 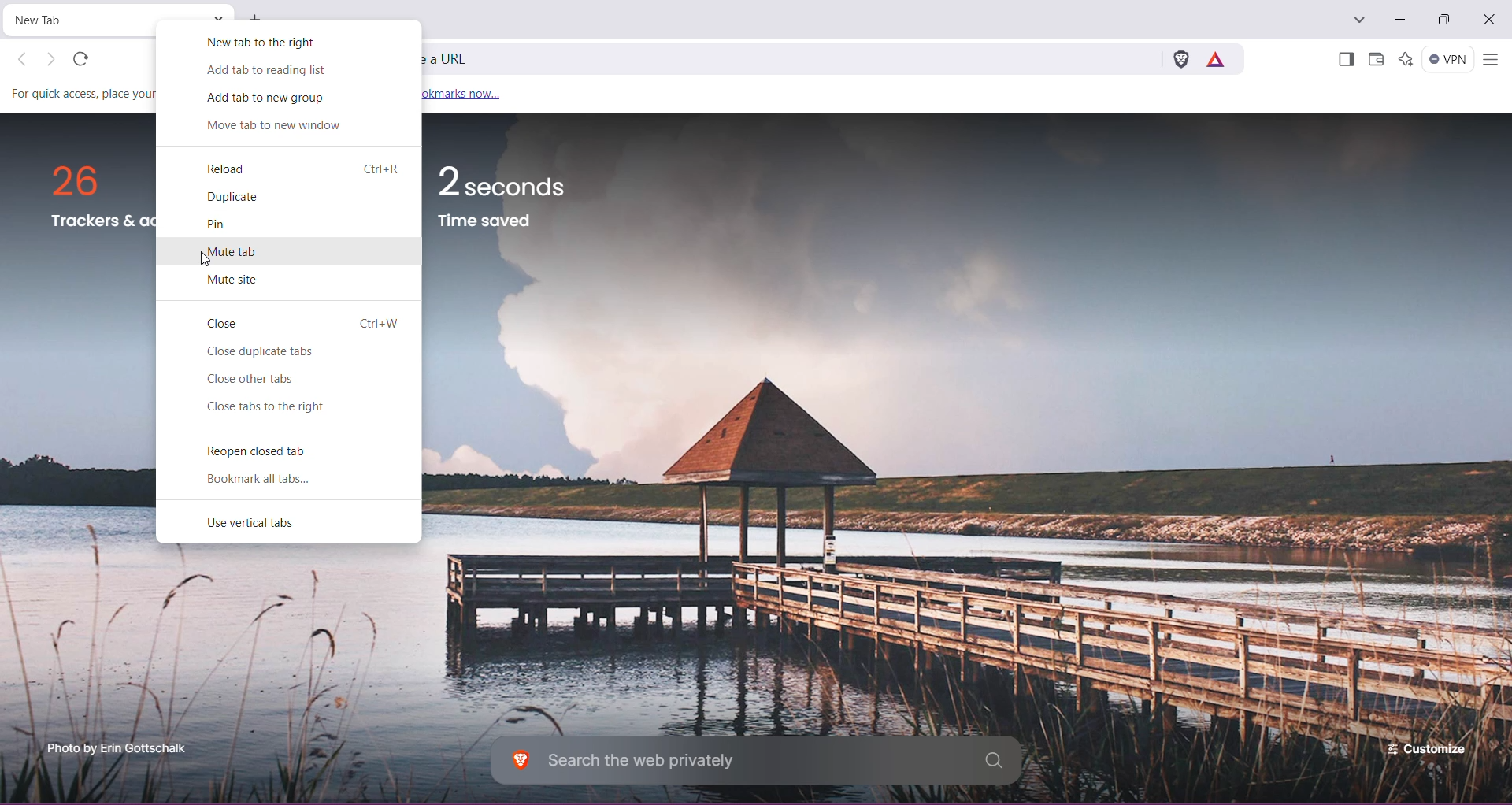 I want to click on Move tab to new window, so click(x=280, y=127).